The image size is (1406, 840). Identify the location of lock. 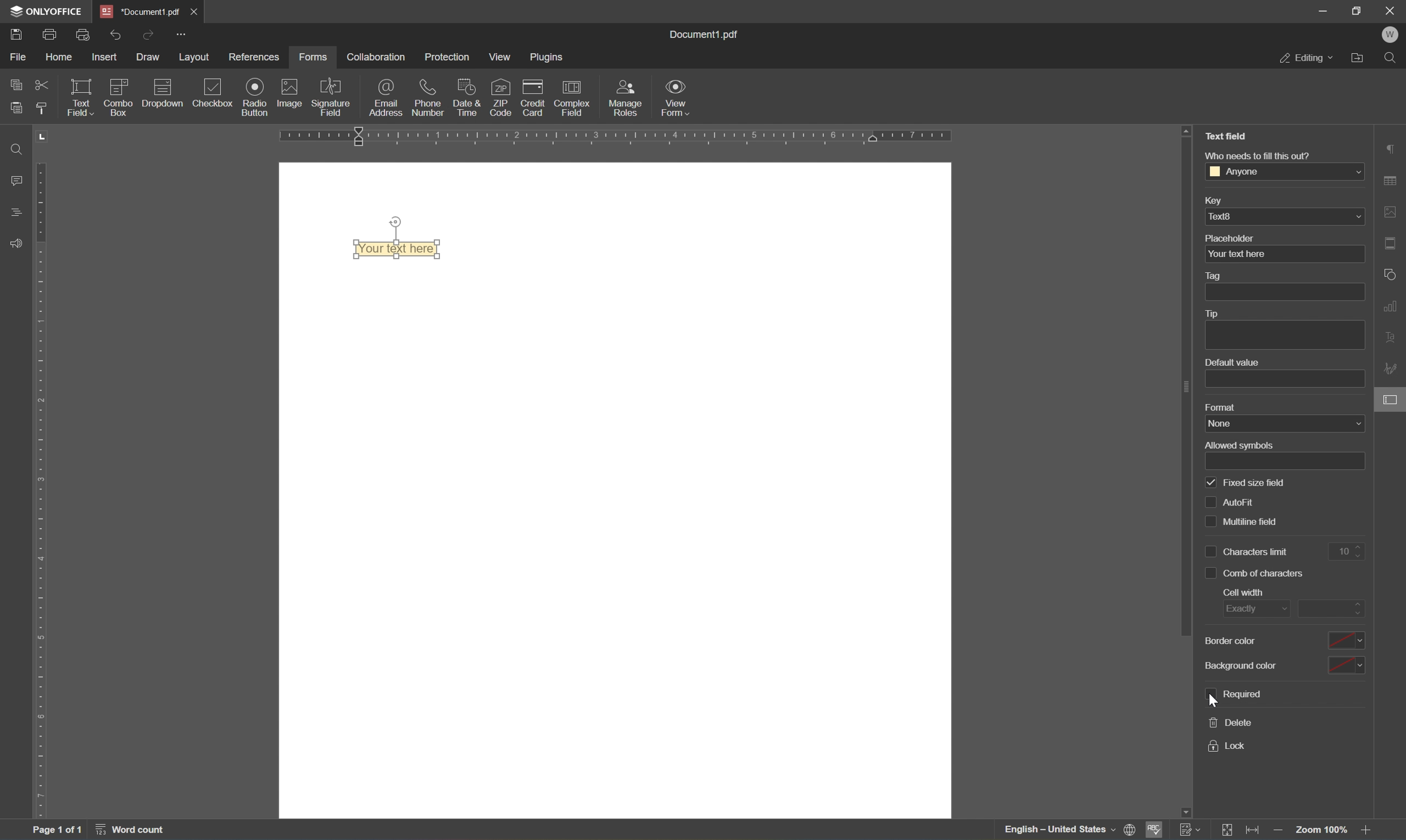
(1230, 745).